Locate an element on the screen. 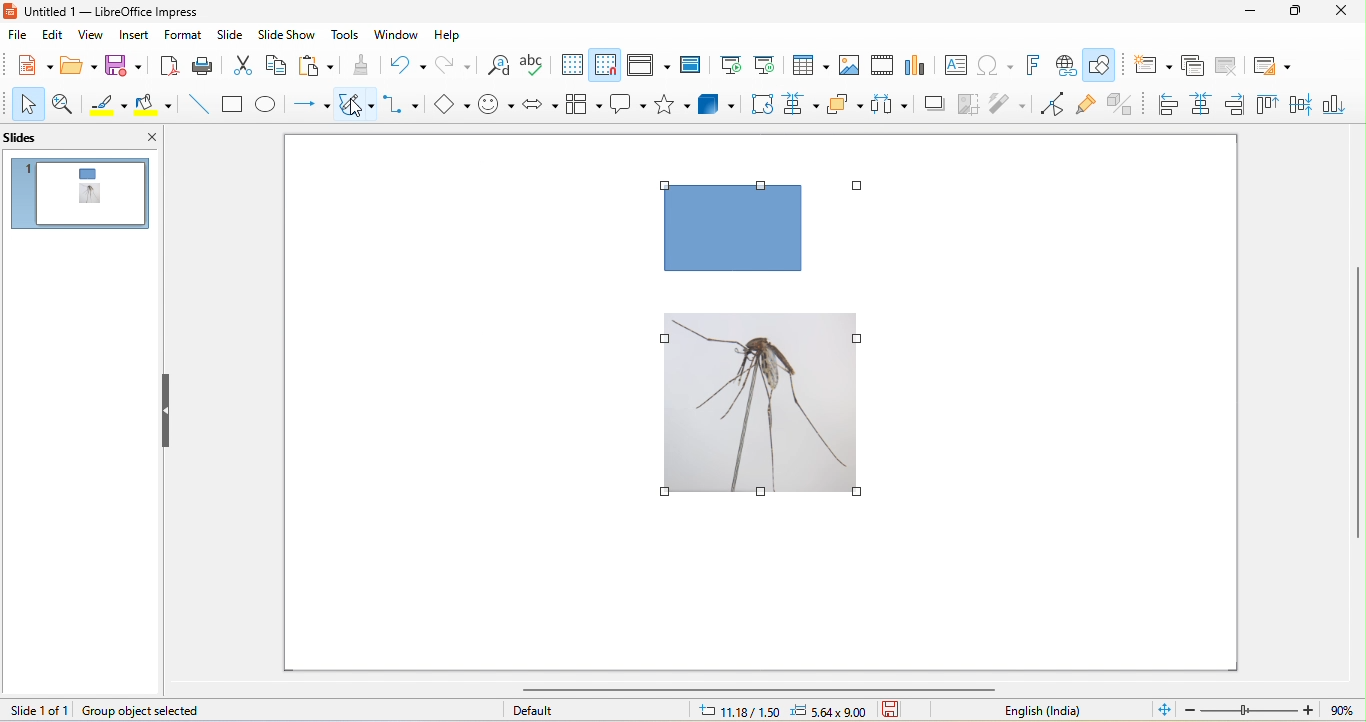 This screenshot has width=1366, height=722. 11.18/1.50 is located at coordinates (740, 711).